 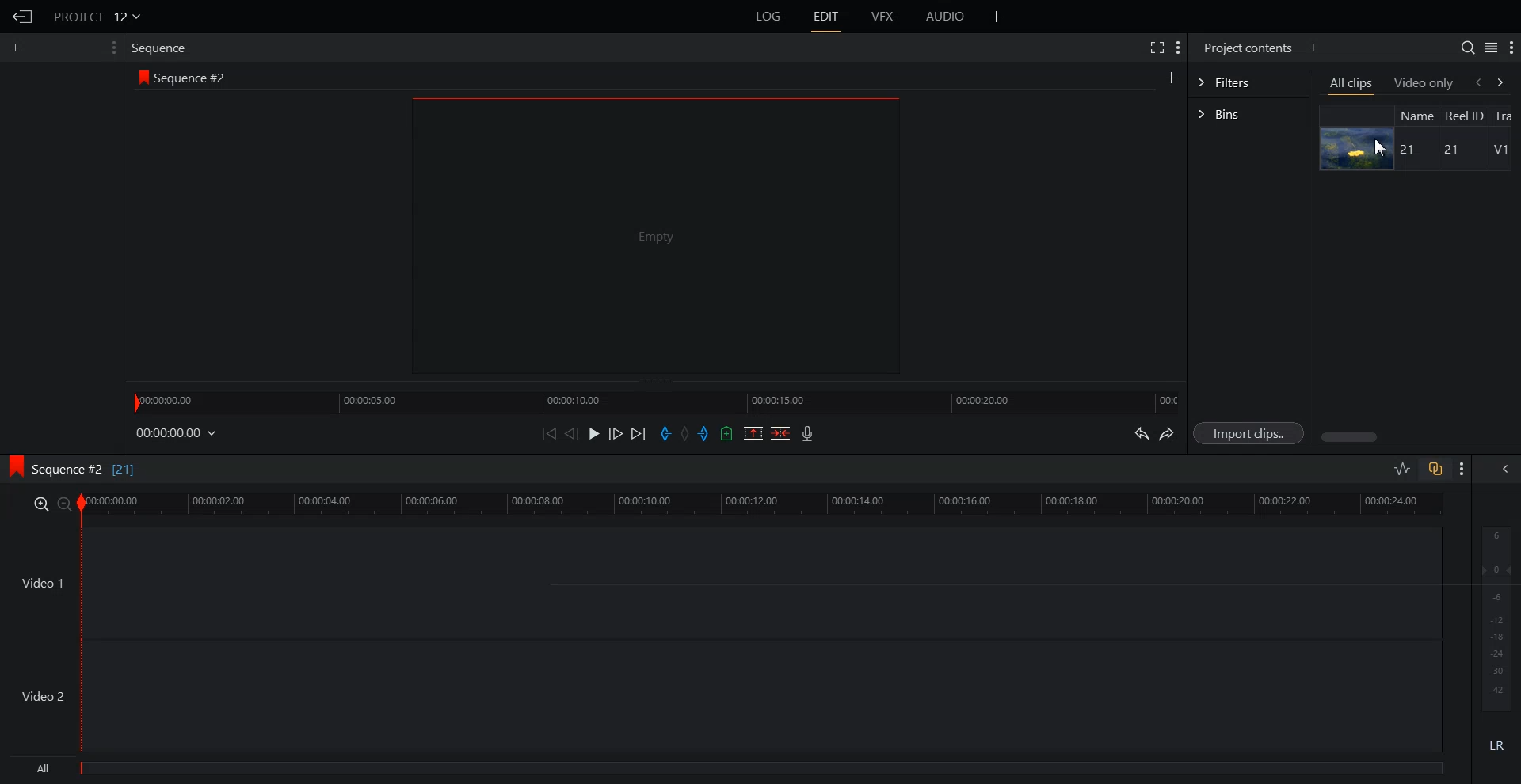 I want to click on Video 2, so click(x=721, y=696).